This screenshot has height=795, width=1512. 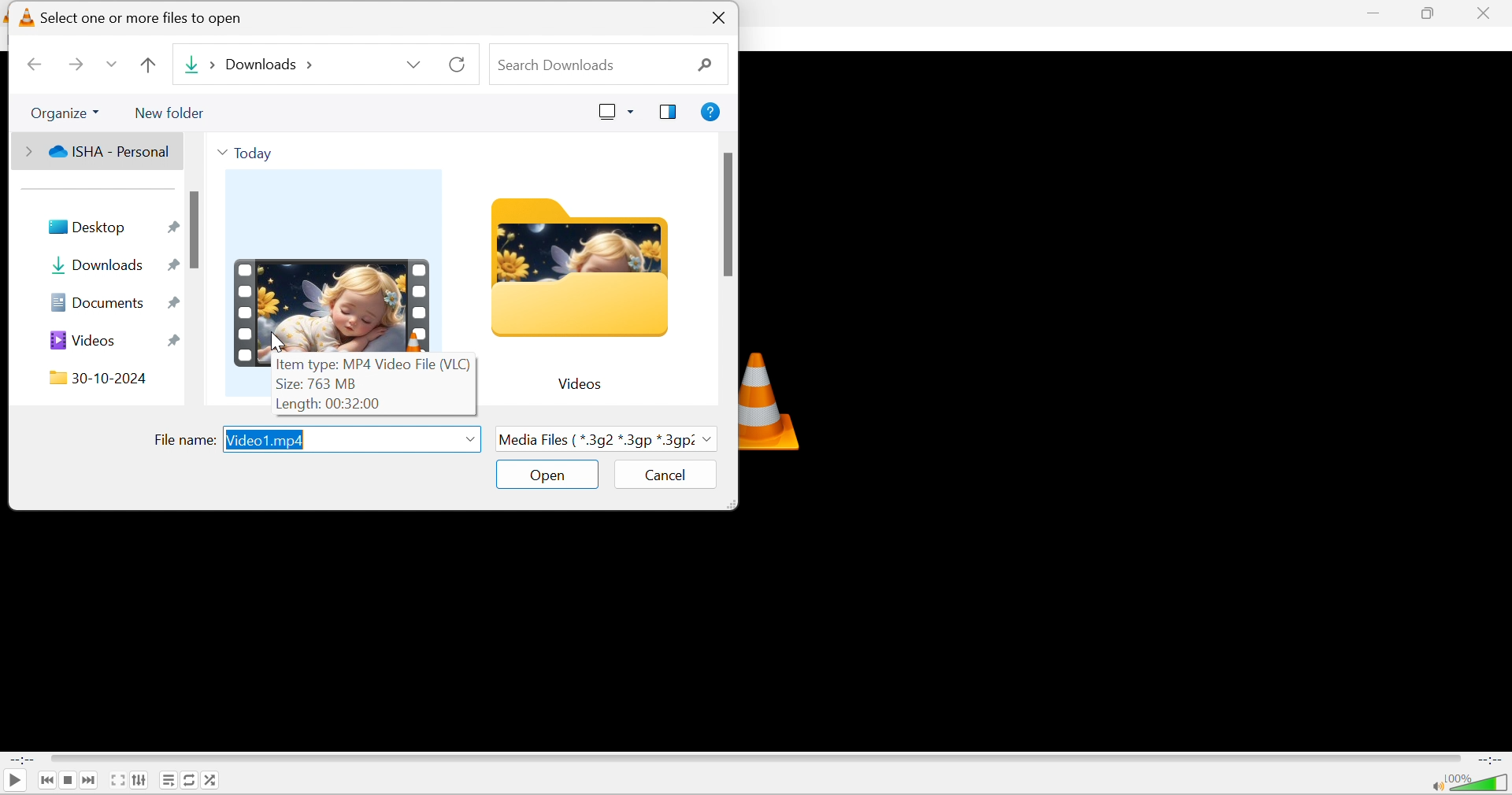 What do you see at coordinates (180, 342) in the screenshot?
I see `Pin` at bounding box center [180, 342].